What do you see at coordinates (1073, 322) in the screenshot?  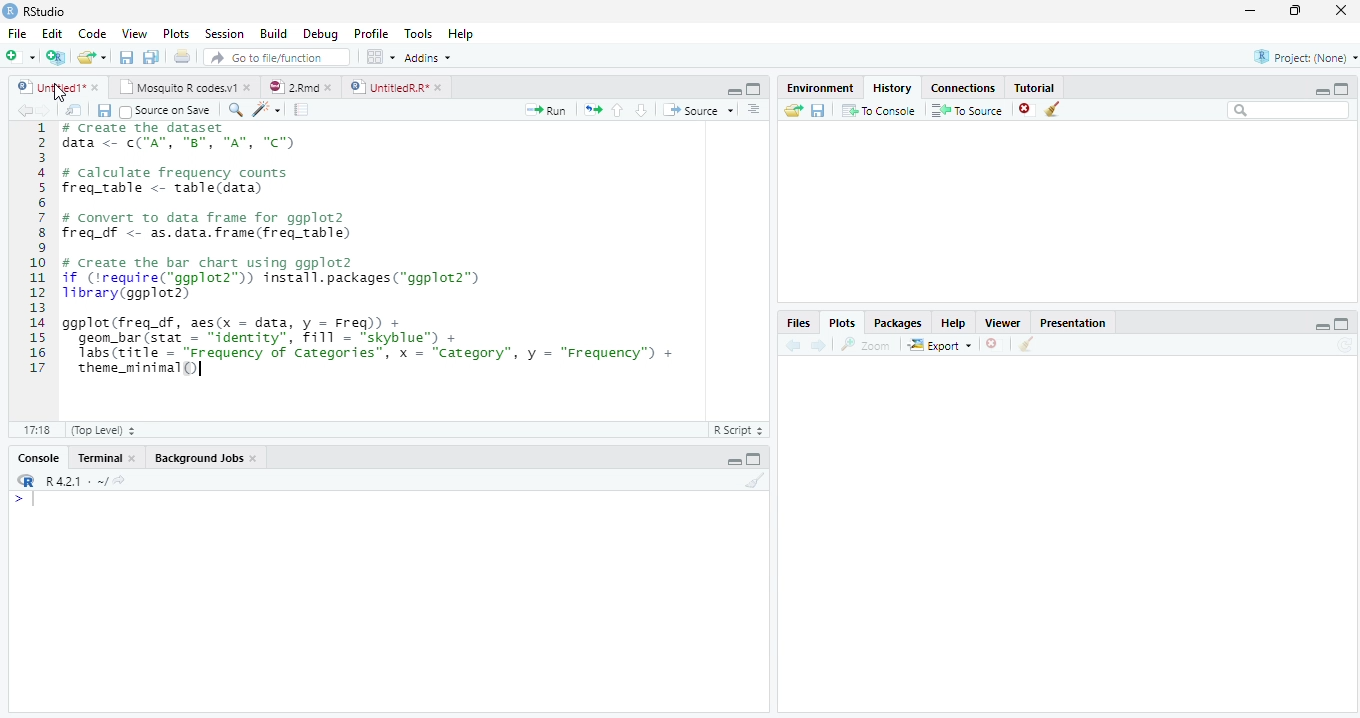 I see `Presentation` at bounding box center [1073, 322].